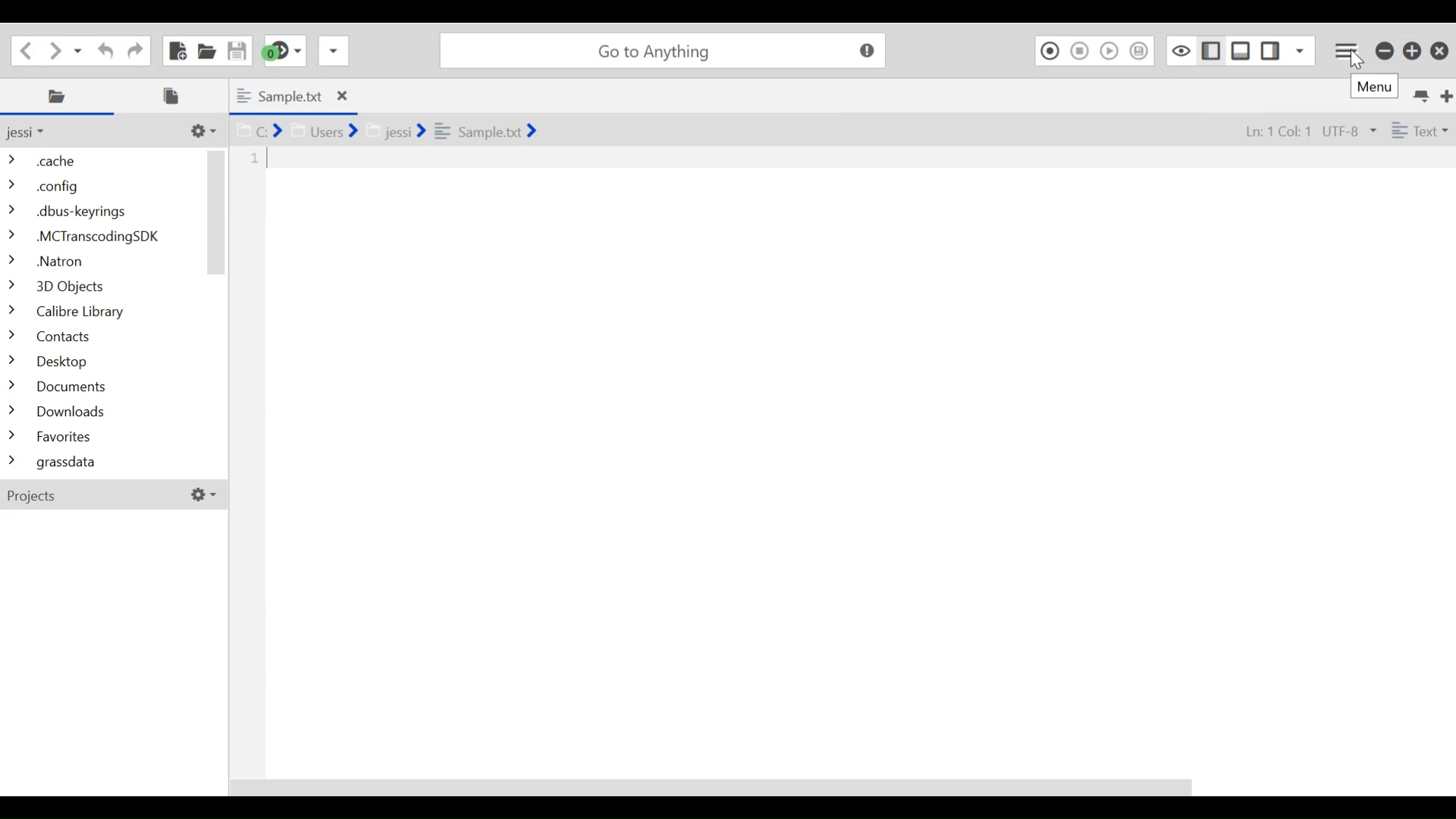 Image resolution: width=1456 pixels, height=819 pixels. What do you see at coordinates (1348, 131) in the screenshot?
I see `File Encoding dropdown menu` at bounding box center [1348, 131].